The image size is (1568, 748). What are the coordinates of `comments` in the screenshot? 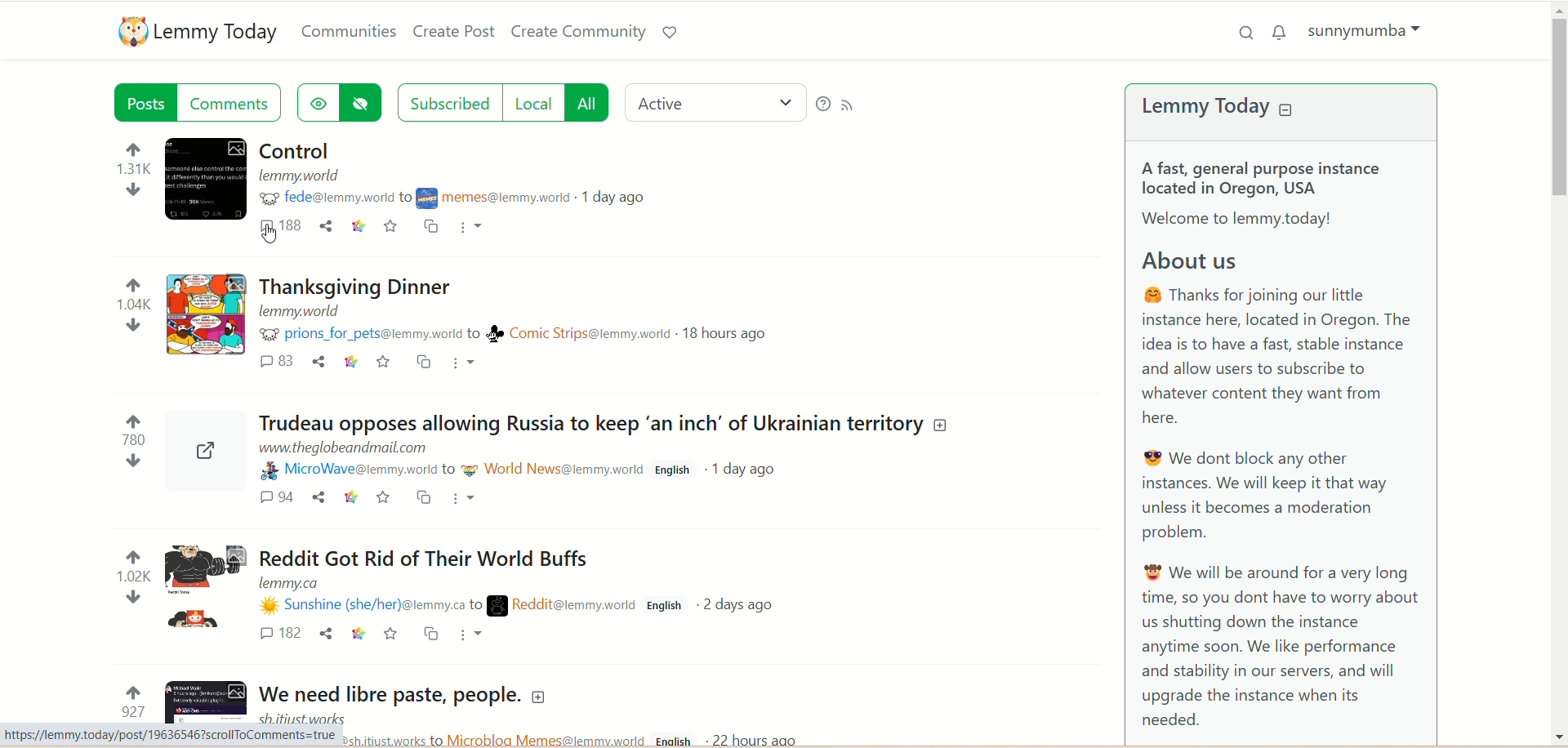 It's located at (282, 633).